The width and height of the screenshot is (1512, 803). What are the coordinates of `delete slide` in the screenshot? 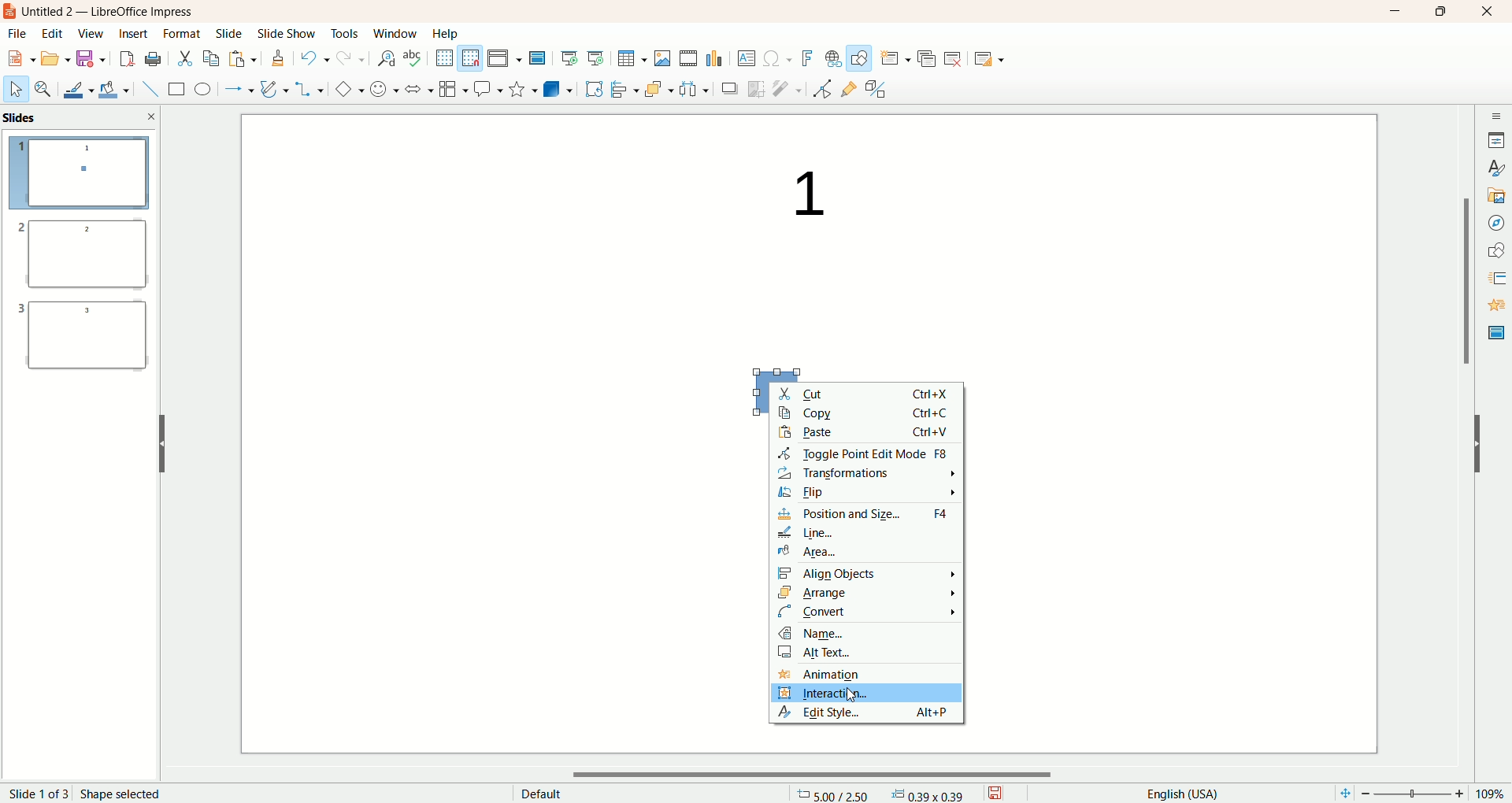 It's located at (956, 61).